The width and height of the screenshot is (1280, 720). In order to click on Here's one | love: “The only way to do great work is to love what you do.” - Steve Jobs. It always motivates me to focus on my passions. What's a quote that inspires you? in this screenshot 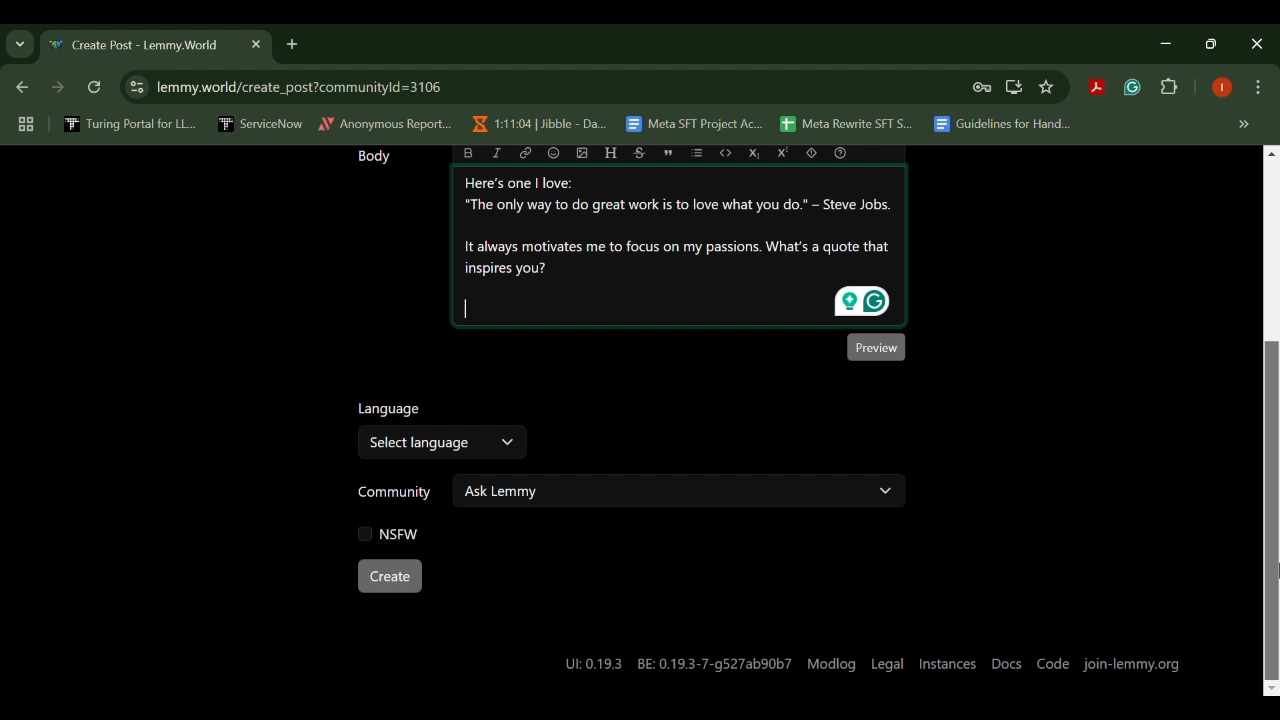, I will do `click(682, 247)`.